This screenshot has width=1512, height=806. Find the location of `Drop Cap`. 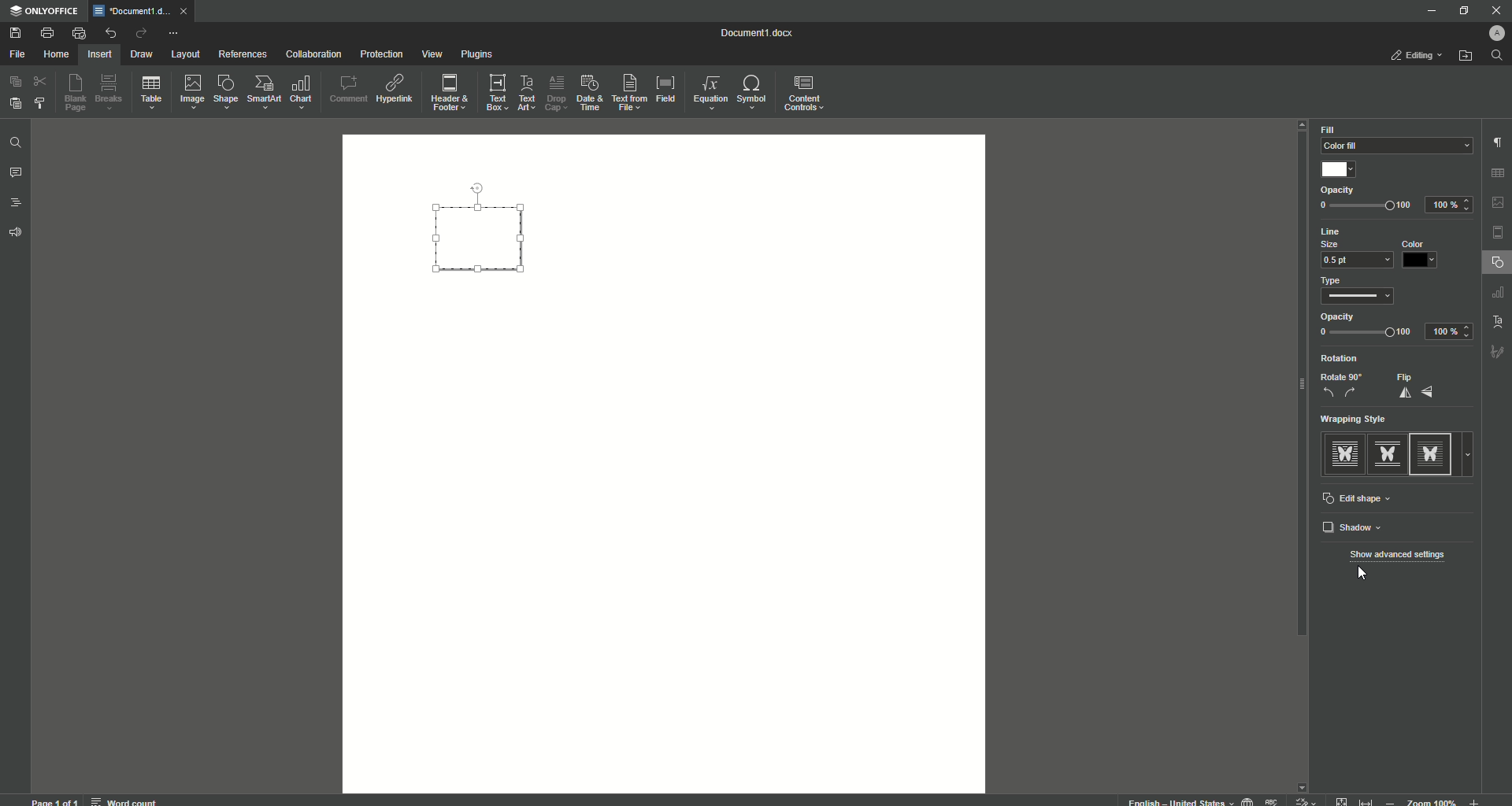

Drop Cap is located at coordinates (554, 90).